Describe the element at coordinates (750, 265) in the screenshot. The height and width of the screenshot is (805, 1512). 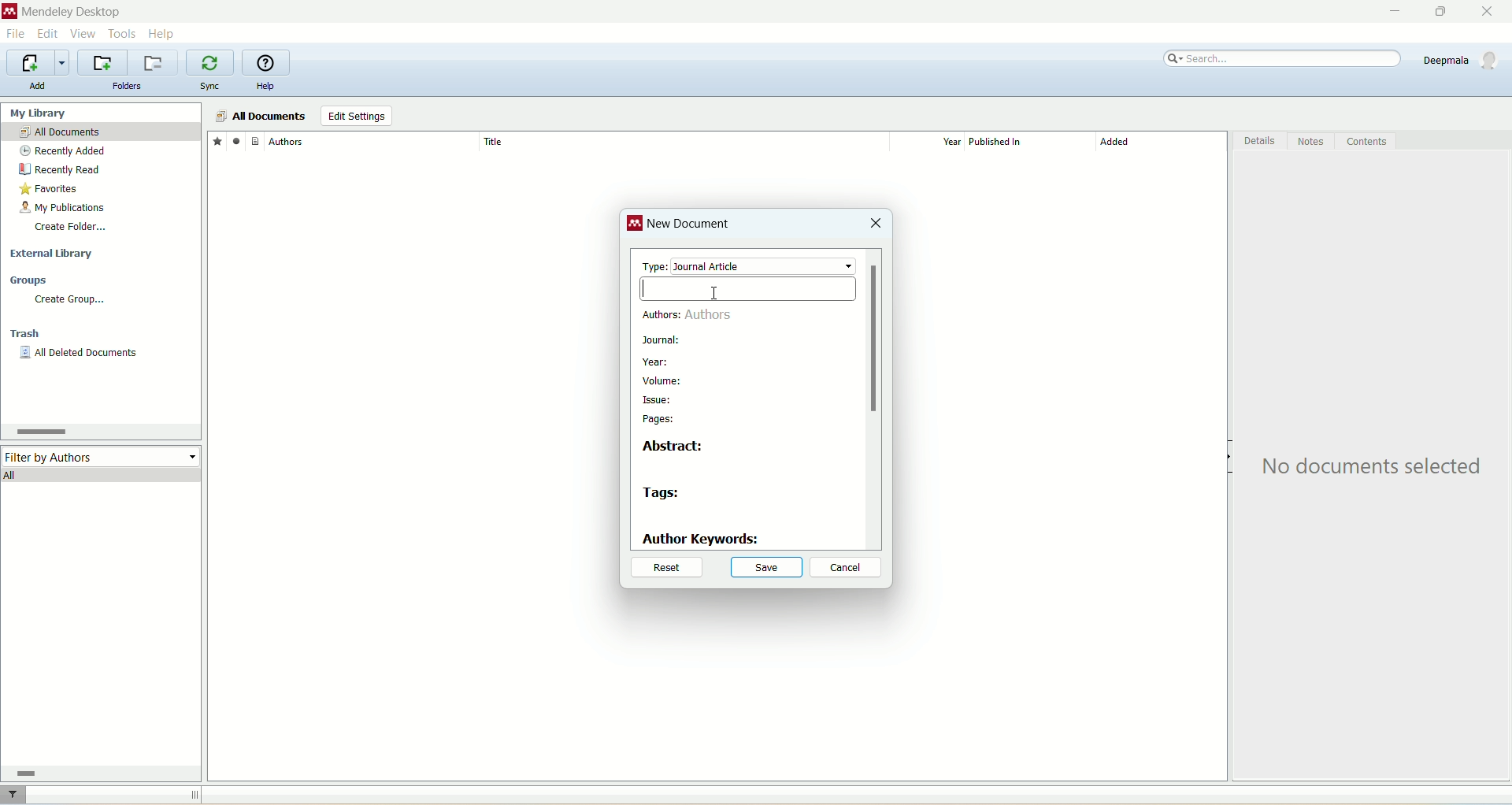
I see `type` at that location.